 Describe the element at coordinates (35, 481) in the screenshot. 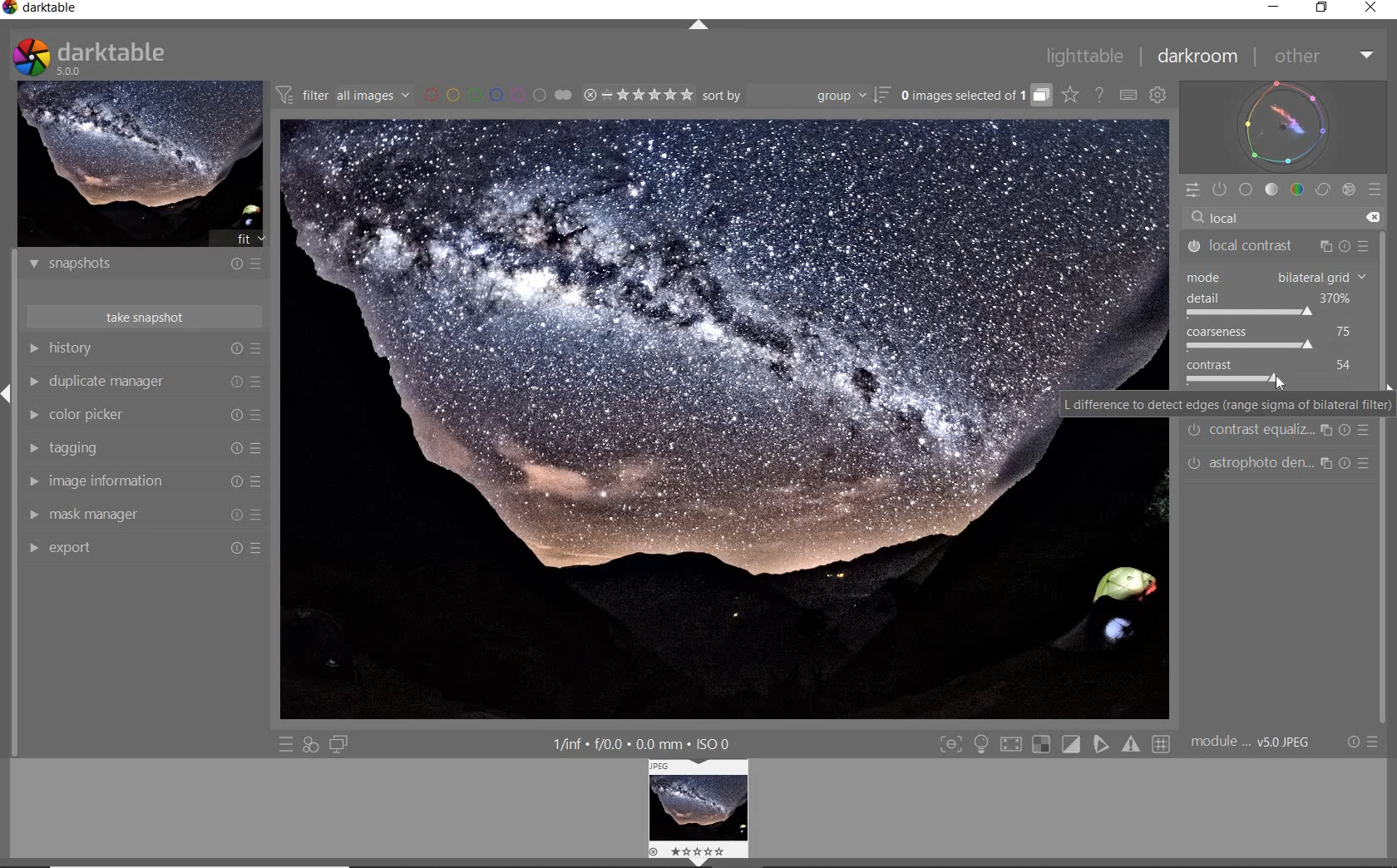

I see `IMAGE INFORMATION` at that location.